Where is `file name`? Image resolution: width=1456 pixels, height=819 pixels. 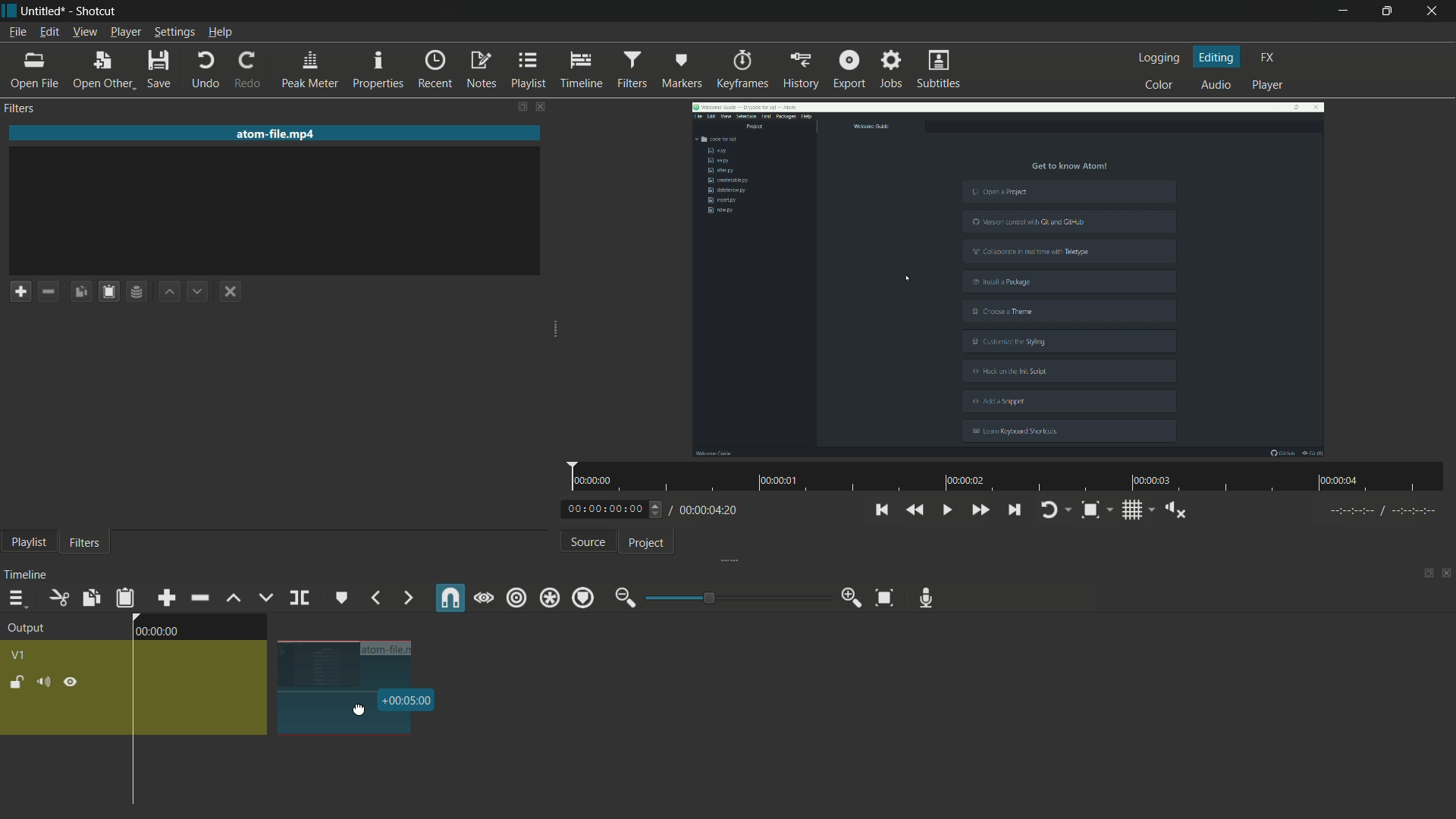 file name is located at coordinates (278, 134).